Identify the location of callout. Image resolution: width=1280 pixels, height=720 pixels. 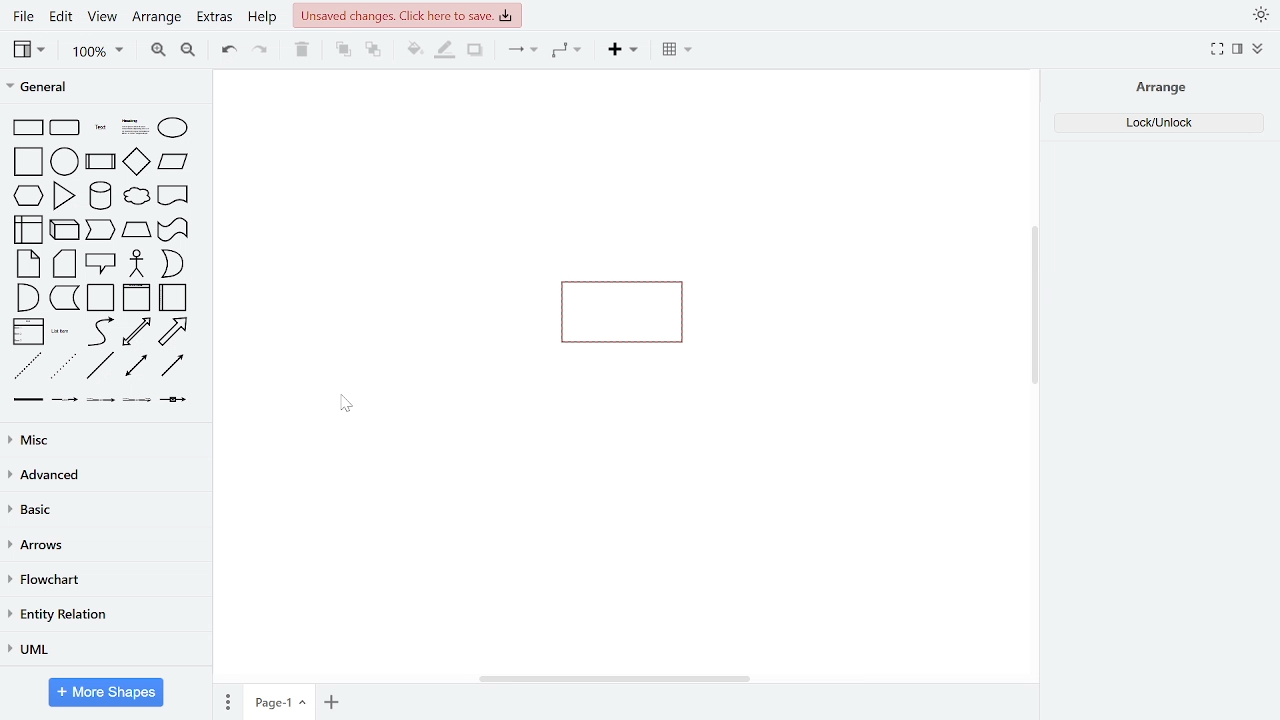
(100, 264).